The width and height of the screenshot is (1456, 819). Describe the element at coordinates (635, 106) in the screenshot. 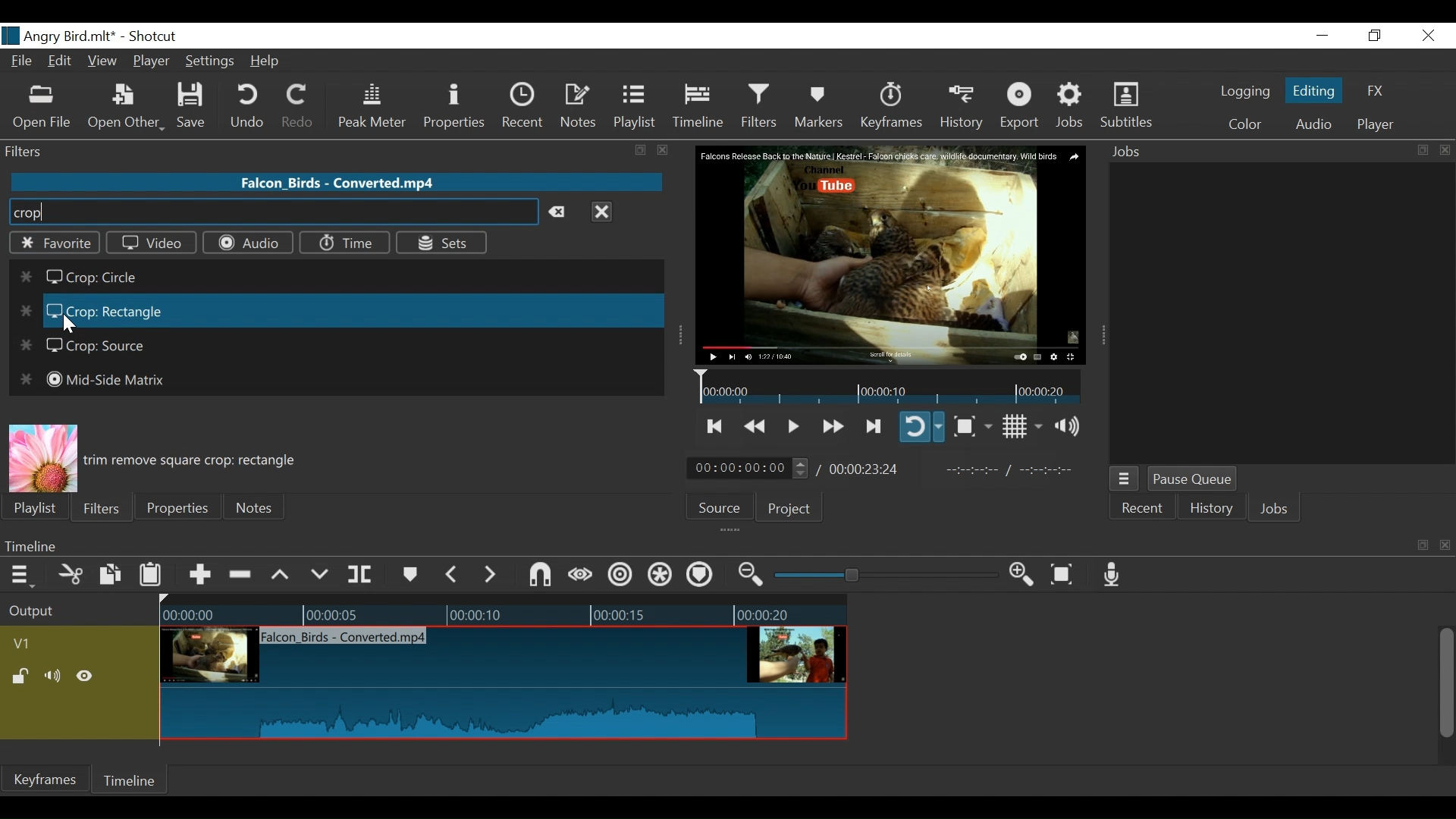

I see `Playlist` at that location.